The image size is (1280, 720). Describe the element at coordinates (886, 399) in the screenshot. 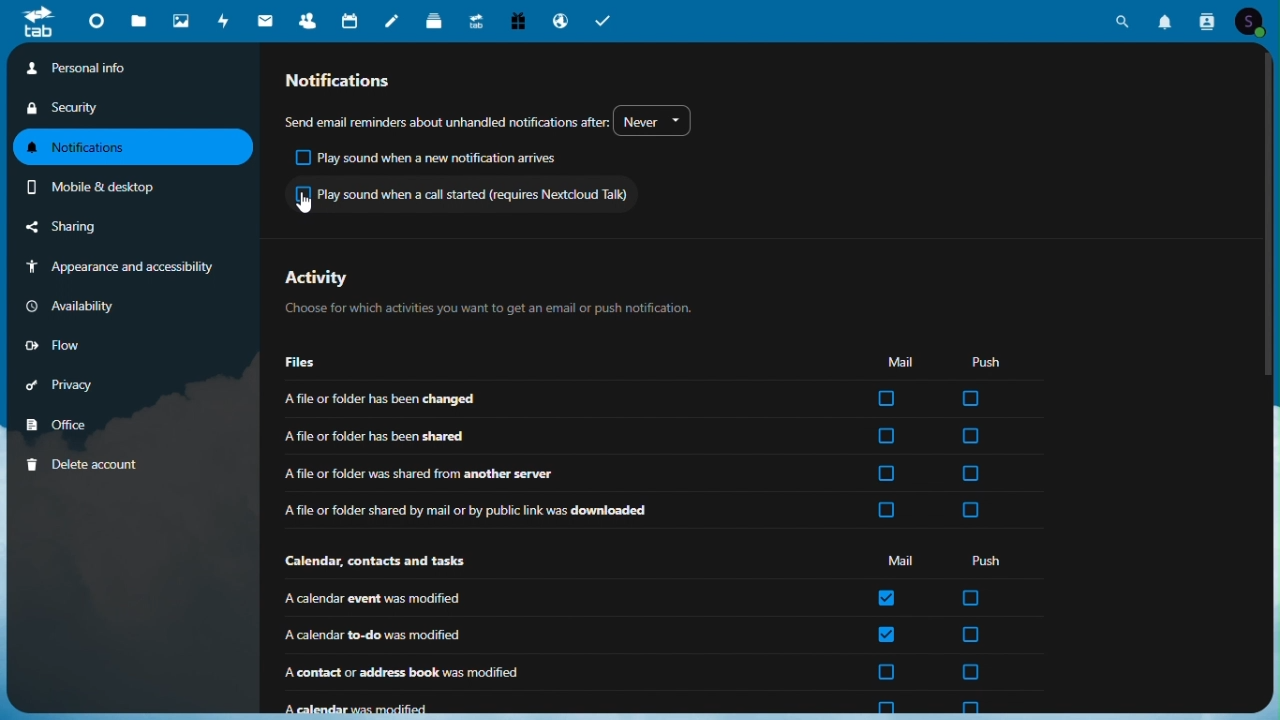

I see `check box` at that location.